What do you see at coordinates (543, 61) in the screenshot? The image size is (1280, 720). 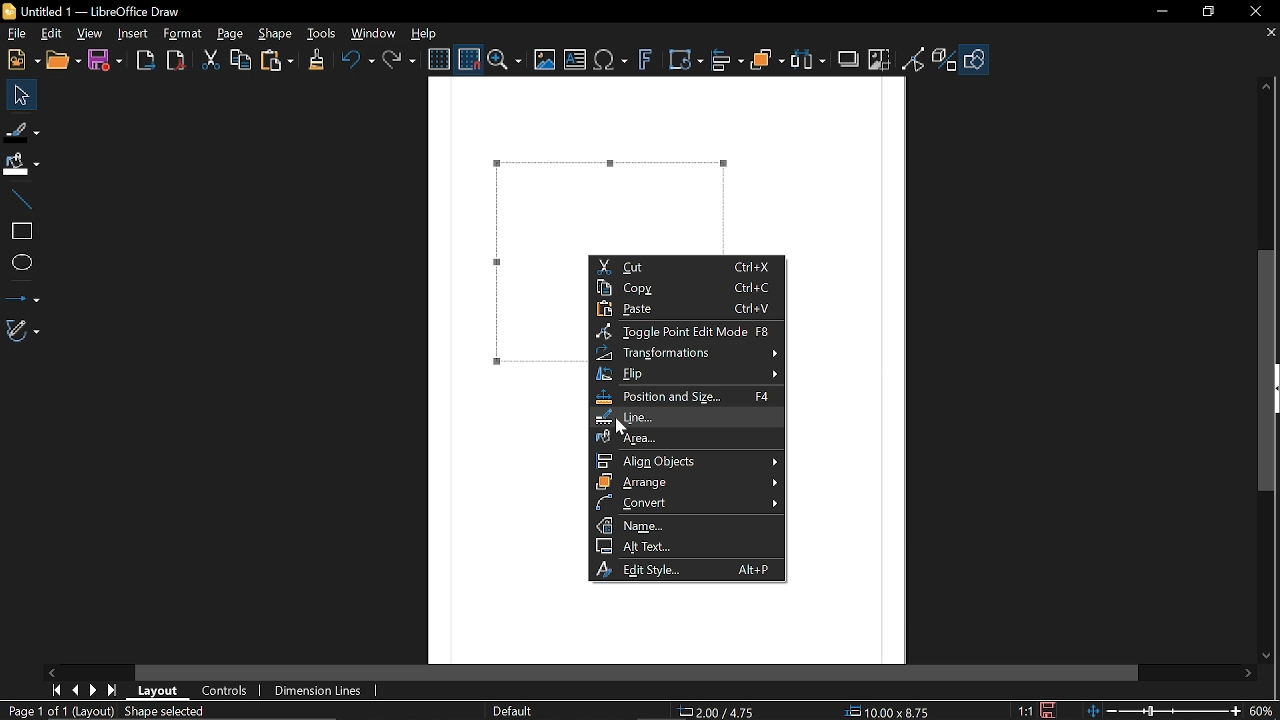 I see `Insert image` at bounding box center [543, 61].